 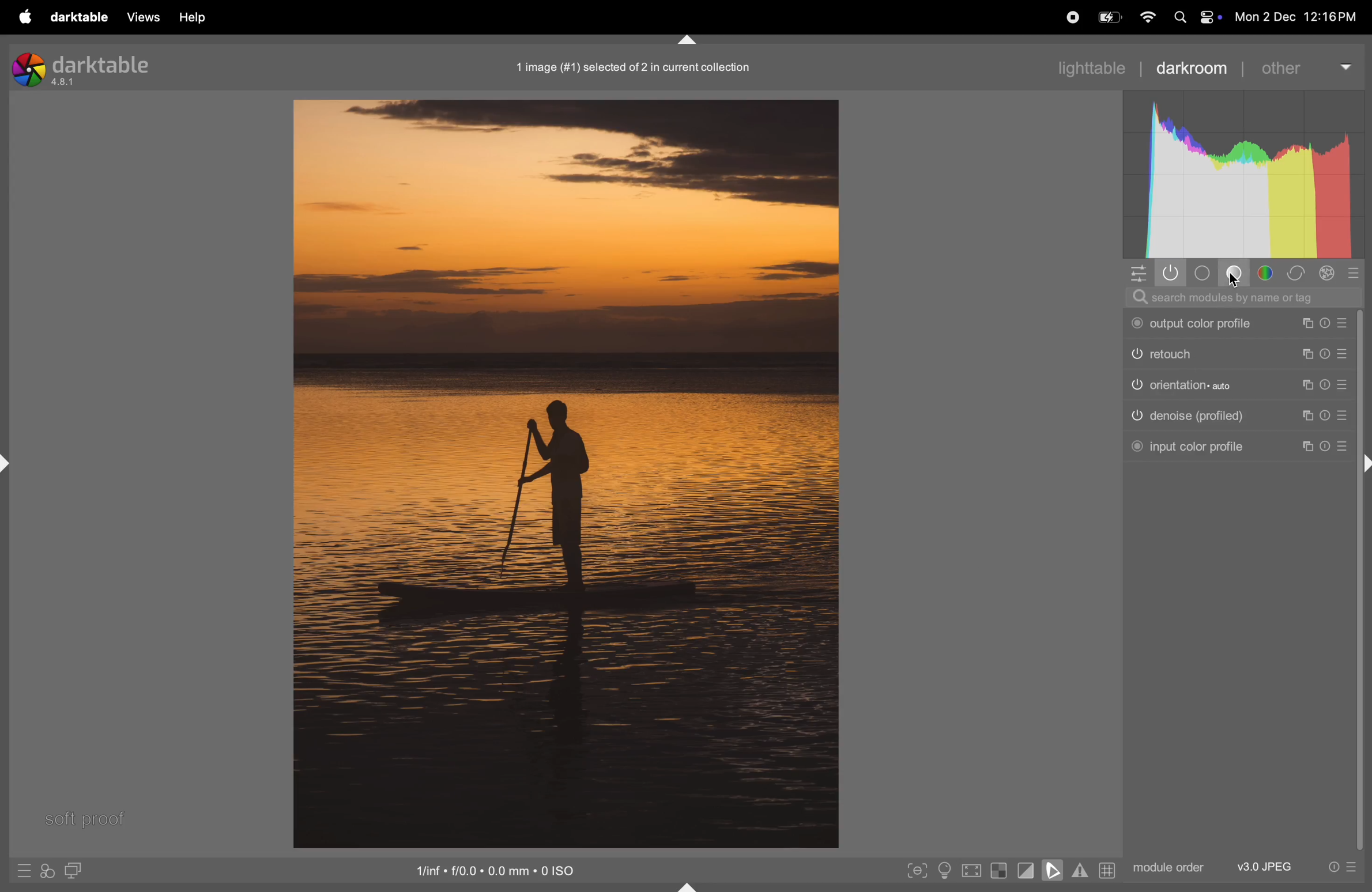 I want to click on retouch, so click(x=1238, y=354).